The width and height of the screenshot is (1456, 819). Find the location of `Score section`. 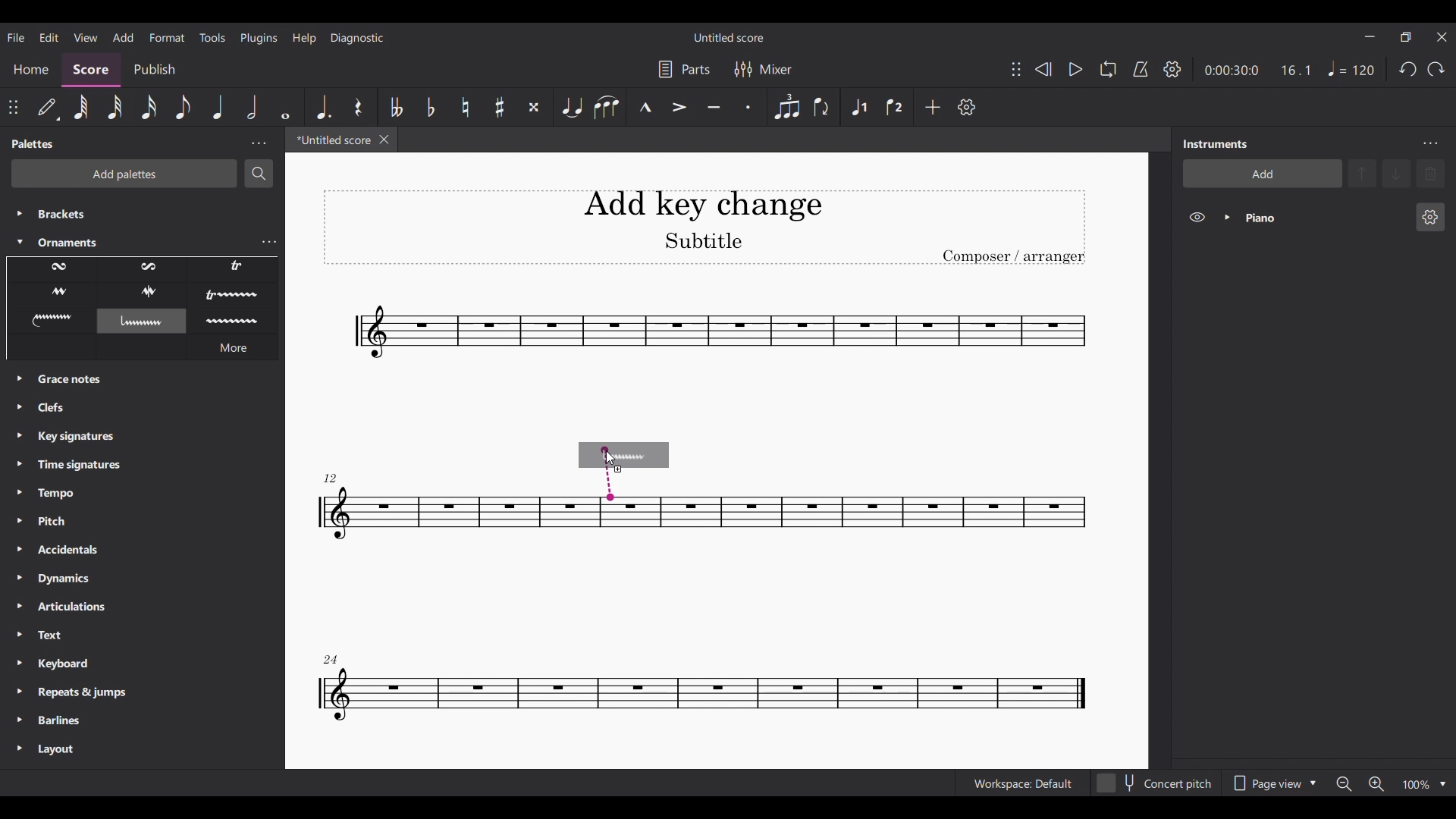

Score section is located at coordinates (90, 71).